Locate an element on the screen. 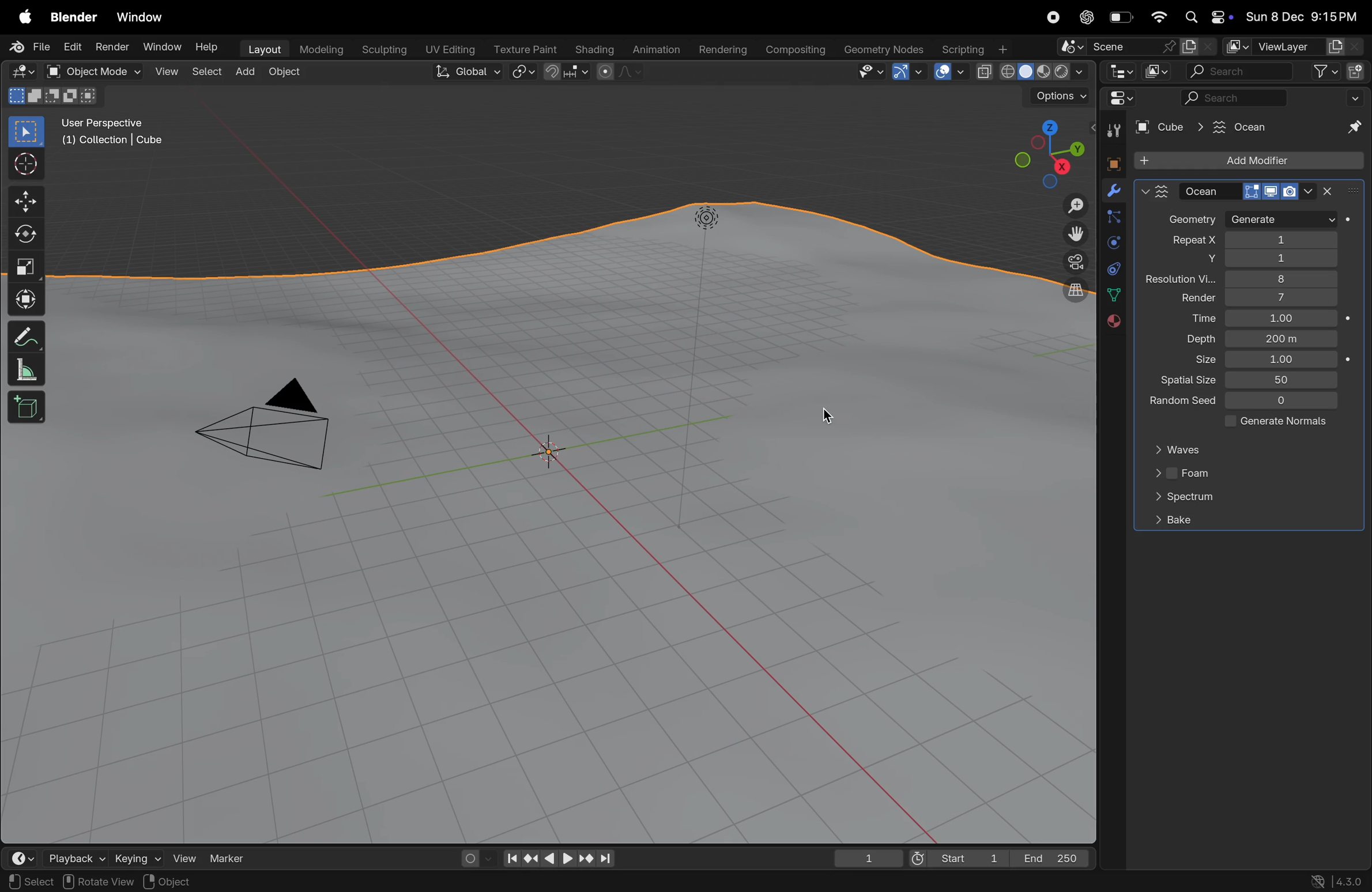 This screenshot has width=1372, height=892. drop down is located at coordinates (1358, 97).